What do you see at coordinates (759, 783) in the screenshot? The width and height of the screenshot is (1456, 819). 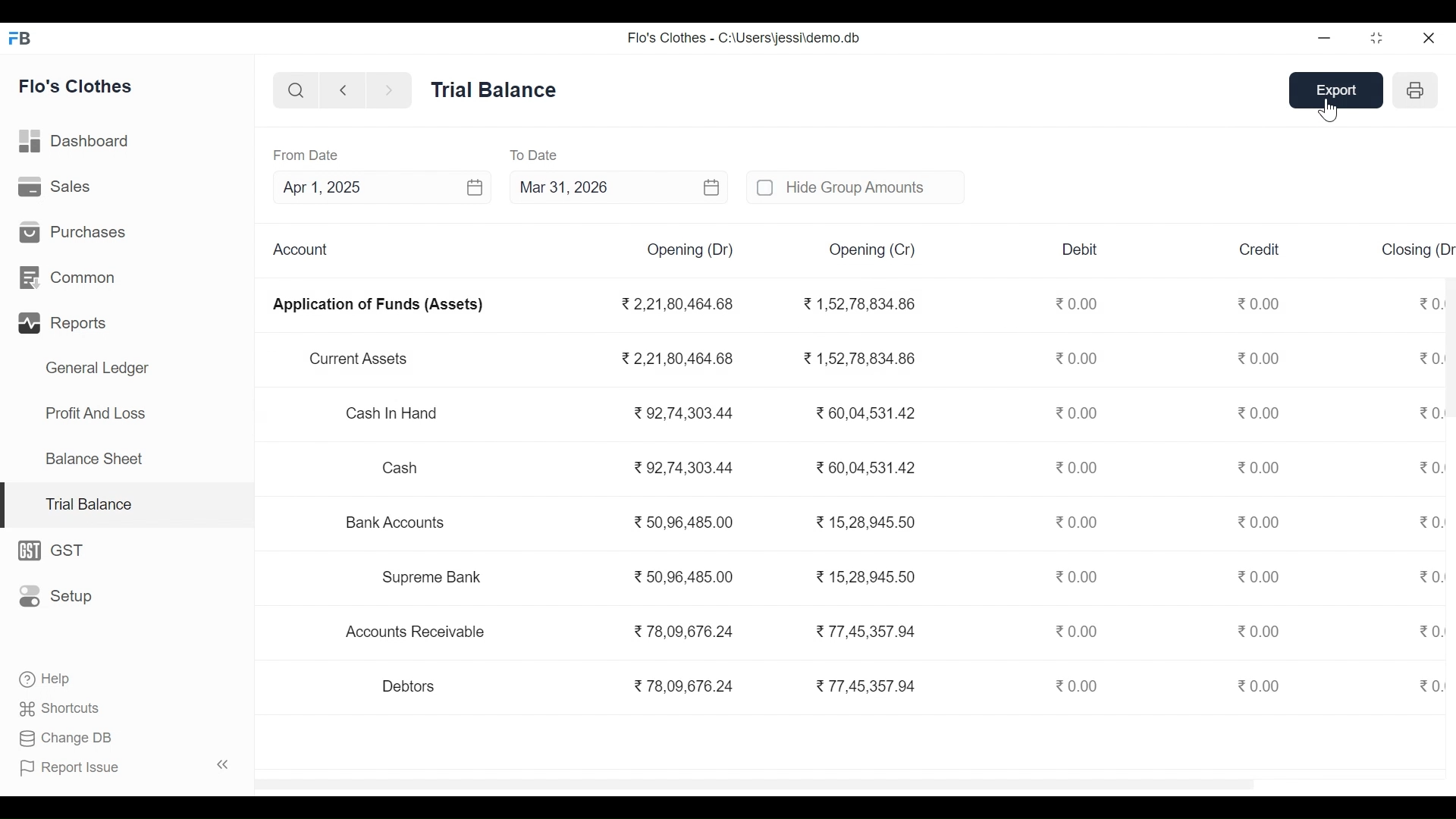 I see `scrollbar` at bounding box center [759, 783].